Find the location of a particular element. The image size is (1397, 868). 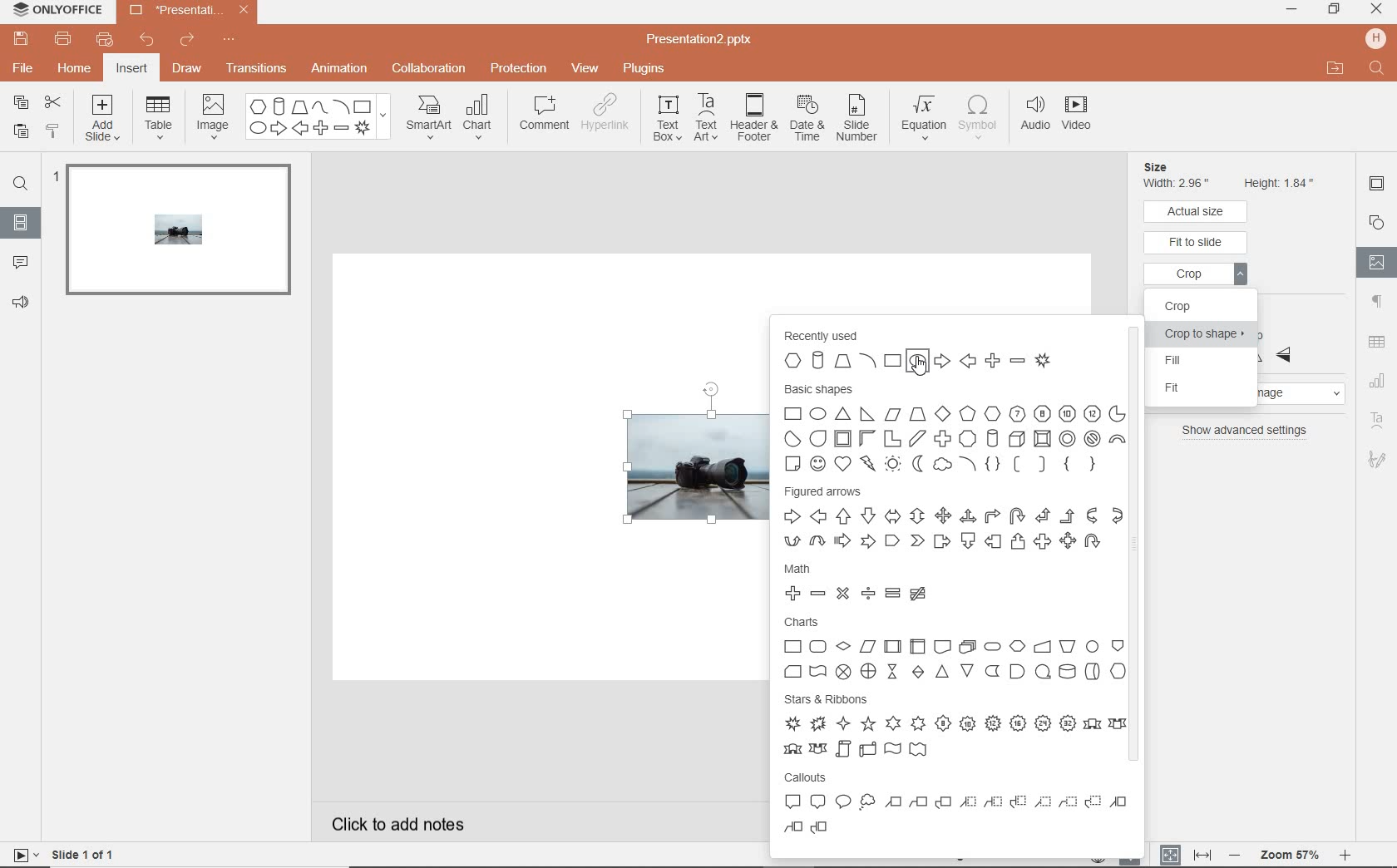

paste is located at coordinates (18, 131).